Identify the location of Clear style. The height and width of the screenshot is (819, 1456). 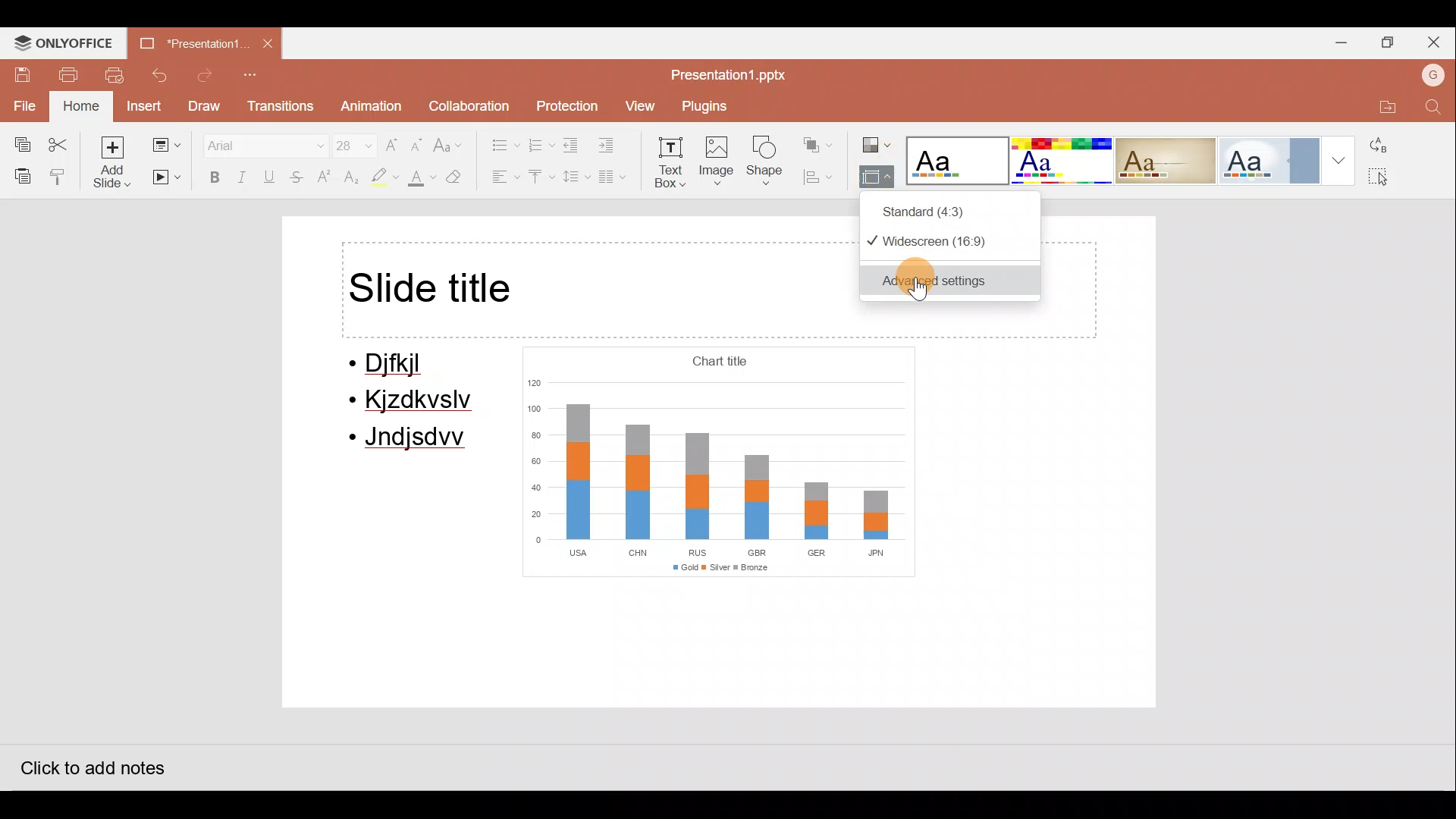
(463, 177).